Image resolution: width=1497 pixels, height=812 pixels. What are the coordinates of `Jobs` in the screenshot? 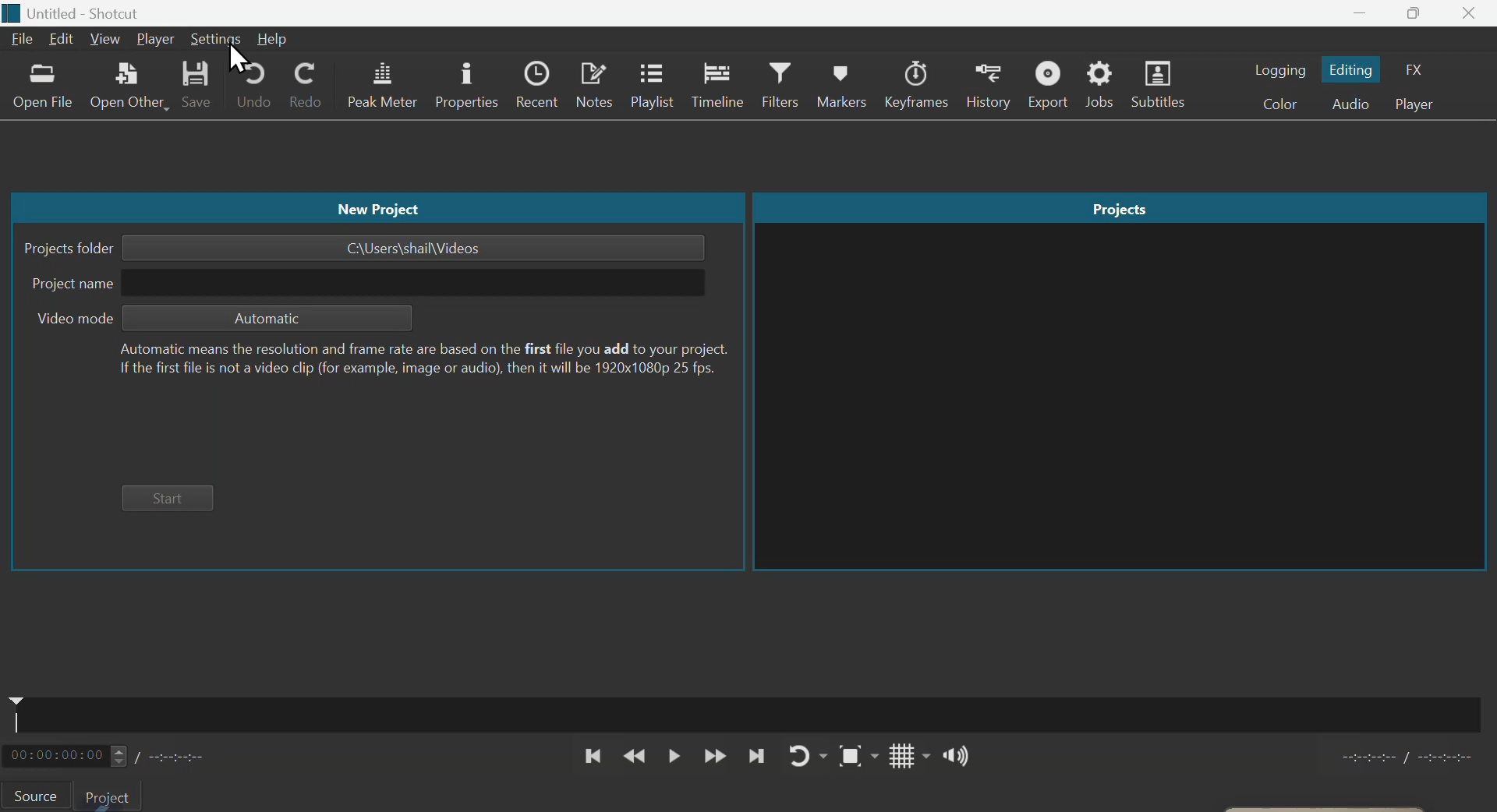 It's located at (1103, 86).